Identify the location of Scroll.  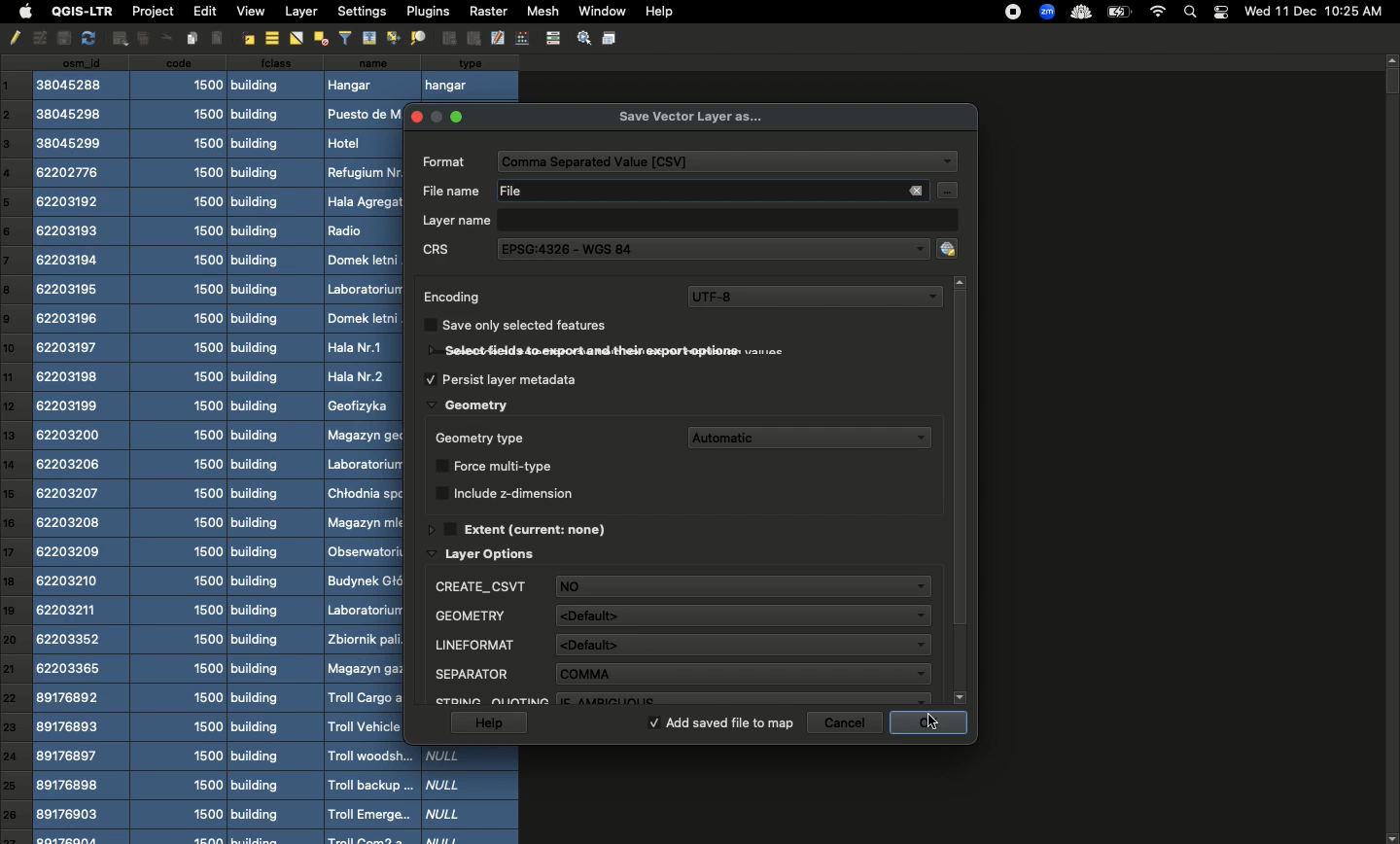
(1391, 448).